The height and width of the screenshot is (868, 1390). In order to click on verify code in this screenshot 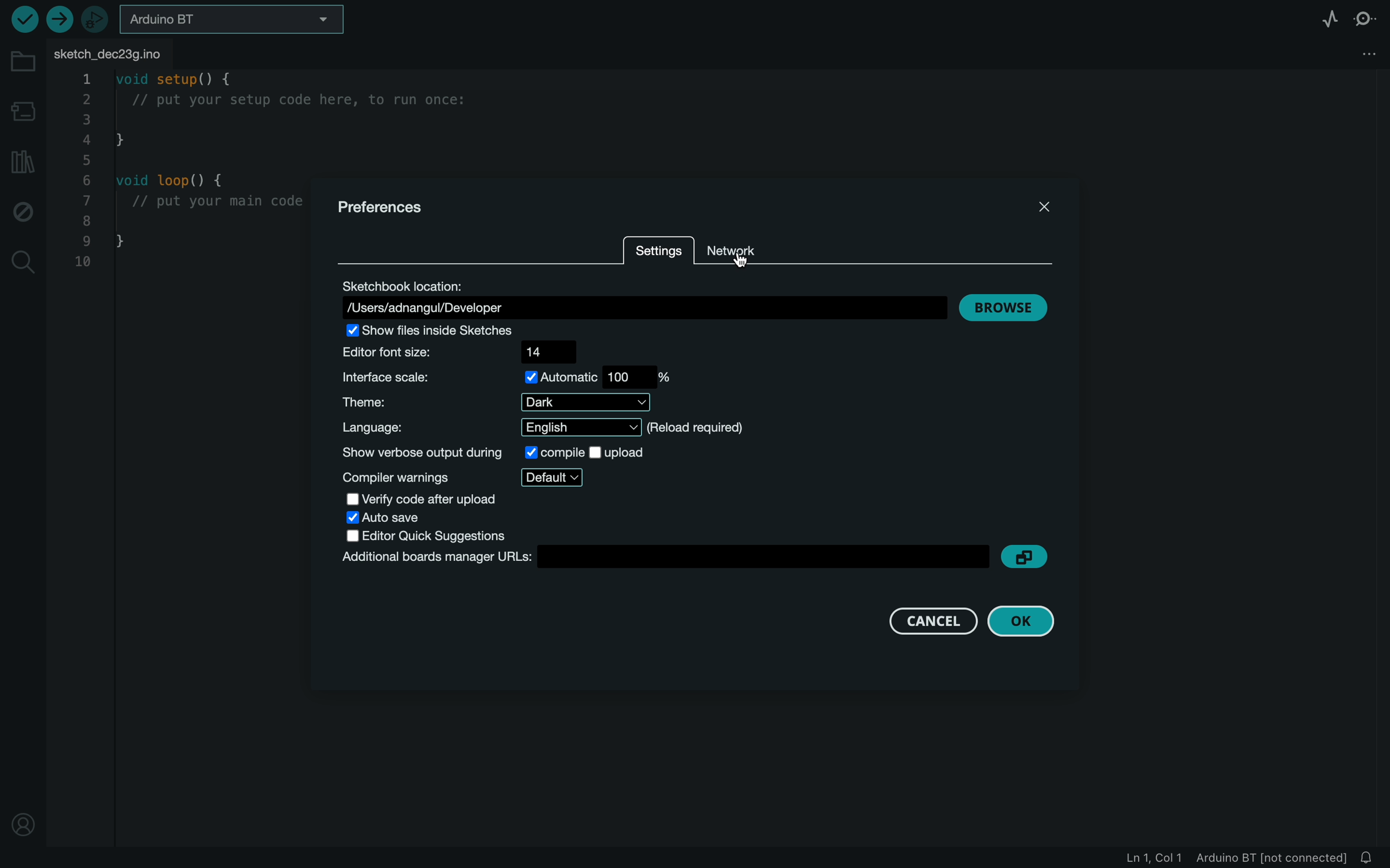, I will do `click(426, 499)`.